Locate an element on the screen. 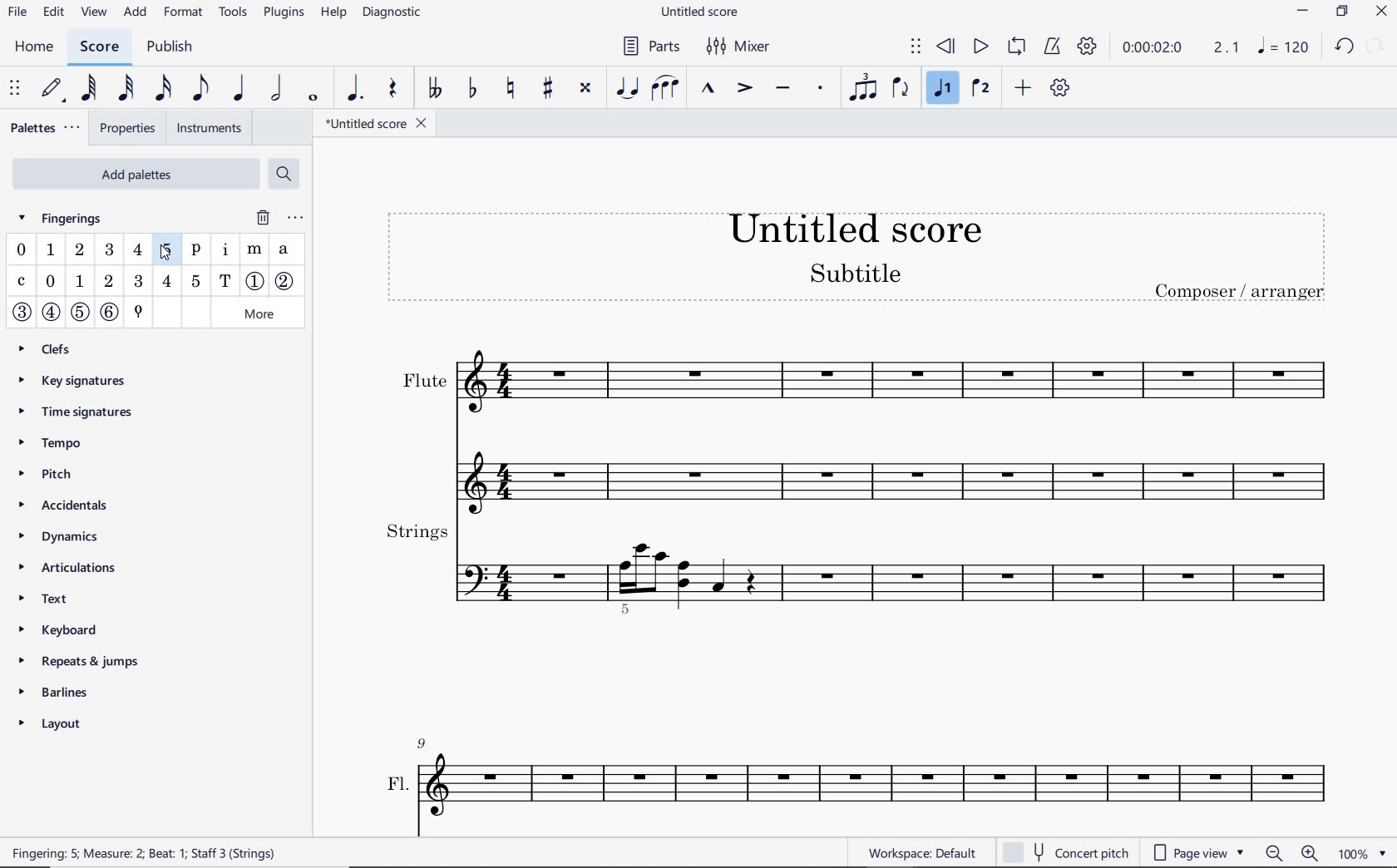 The width and height of the screenshot is (1397, 868). rest is located at coordinates (394, 91).